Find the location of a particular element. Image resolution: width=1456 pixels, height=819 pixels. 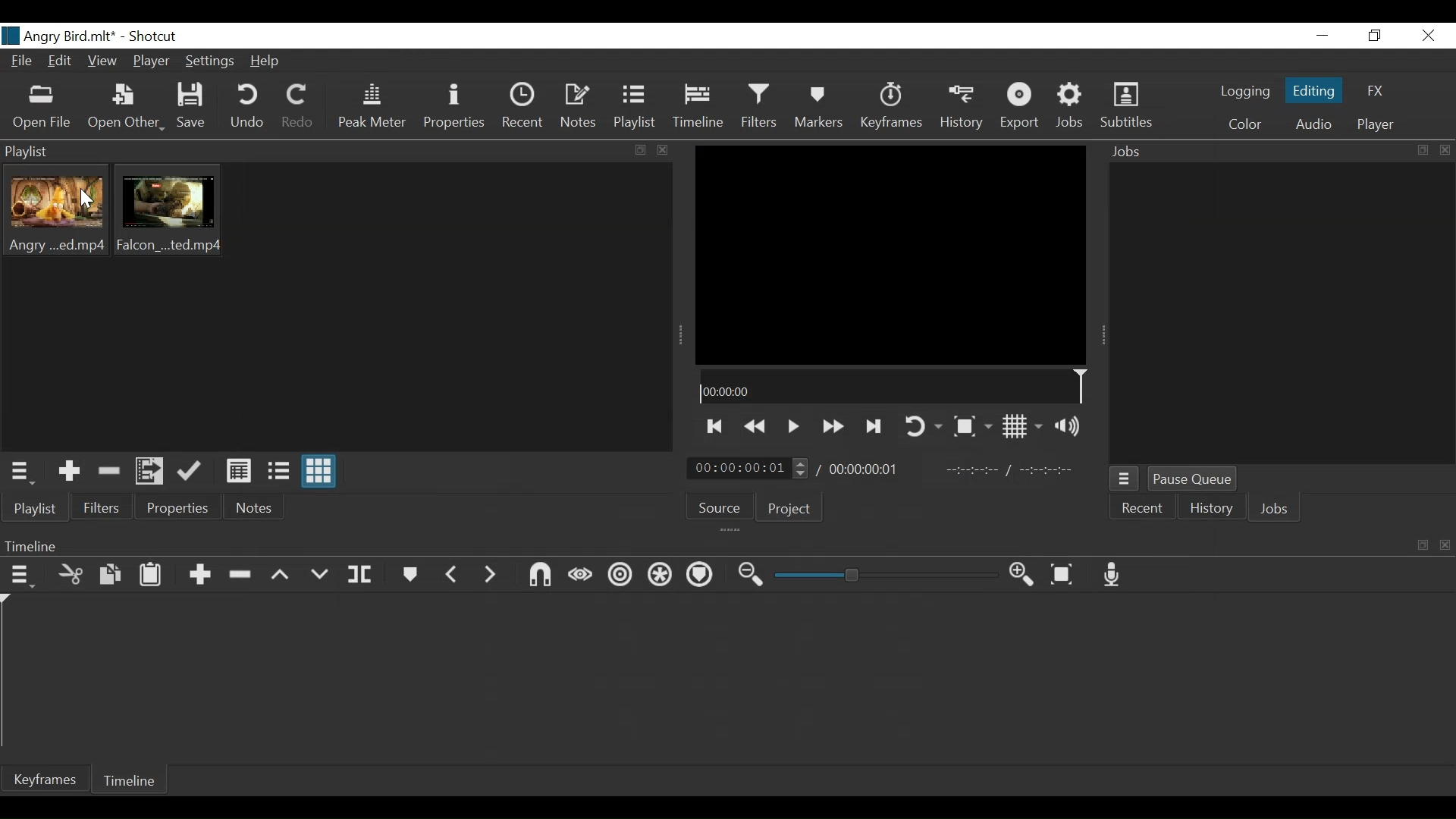

Copy is located at coordinates (112, 575).